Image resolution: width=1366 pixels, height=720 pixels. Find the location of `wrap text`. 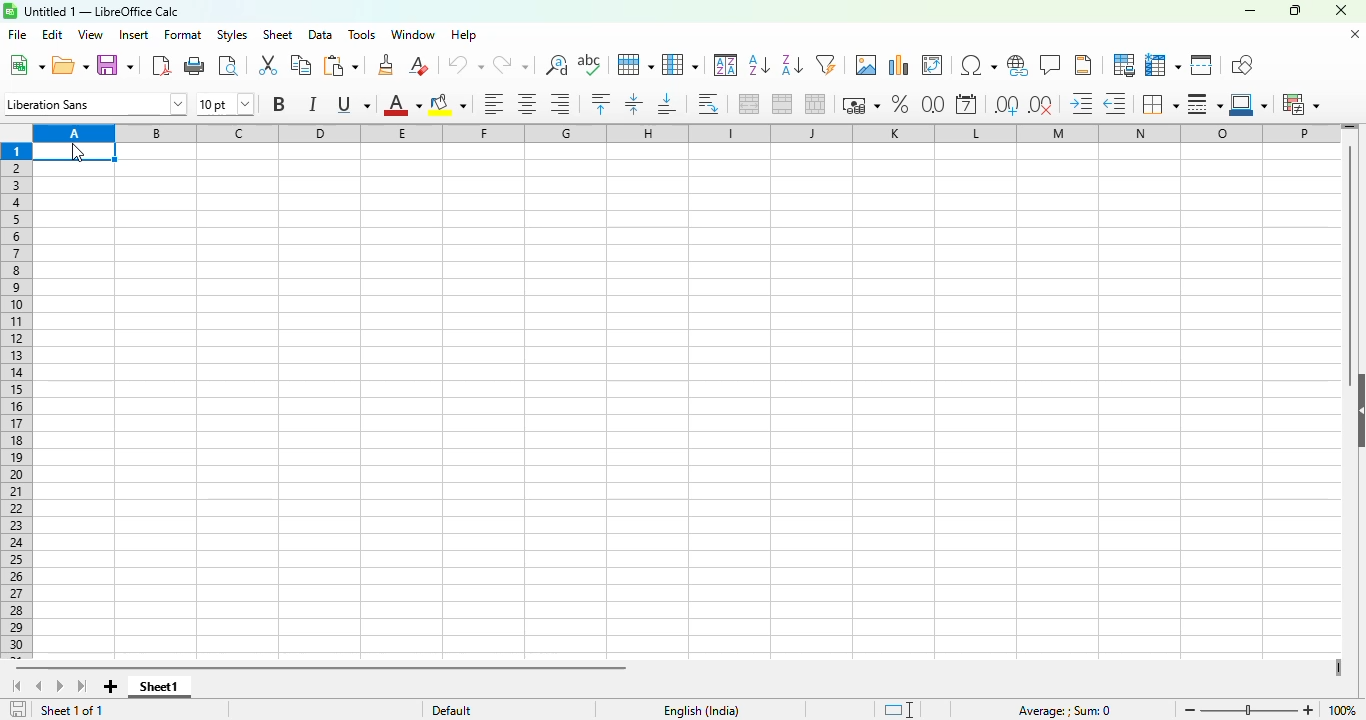

wrap text is located at coordinates (709, 105).